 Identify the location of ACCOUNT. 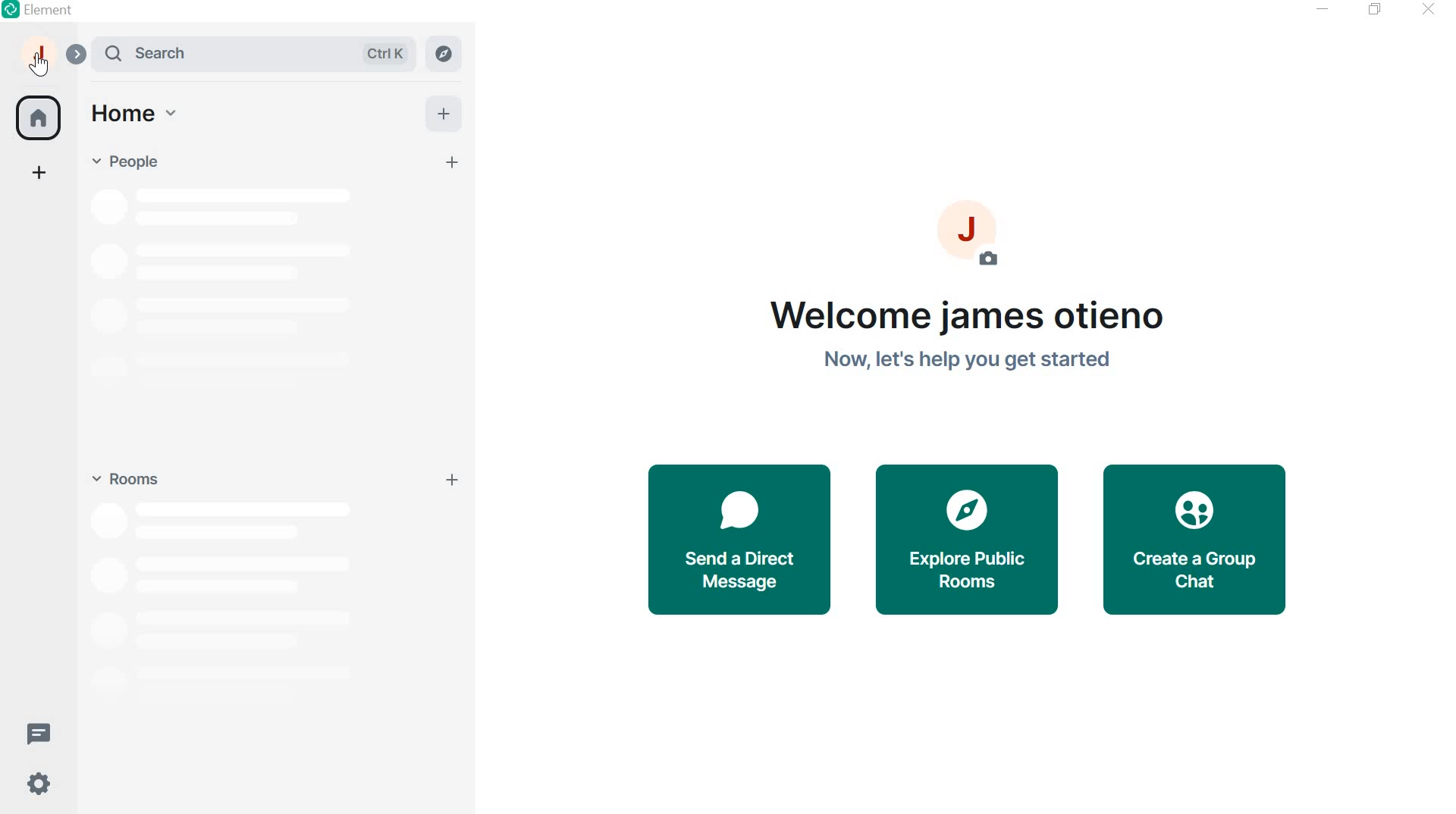
(40, 58).